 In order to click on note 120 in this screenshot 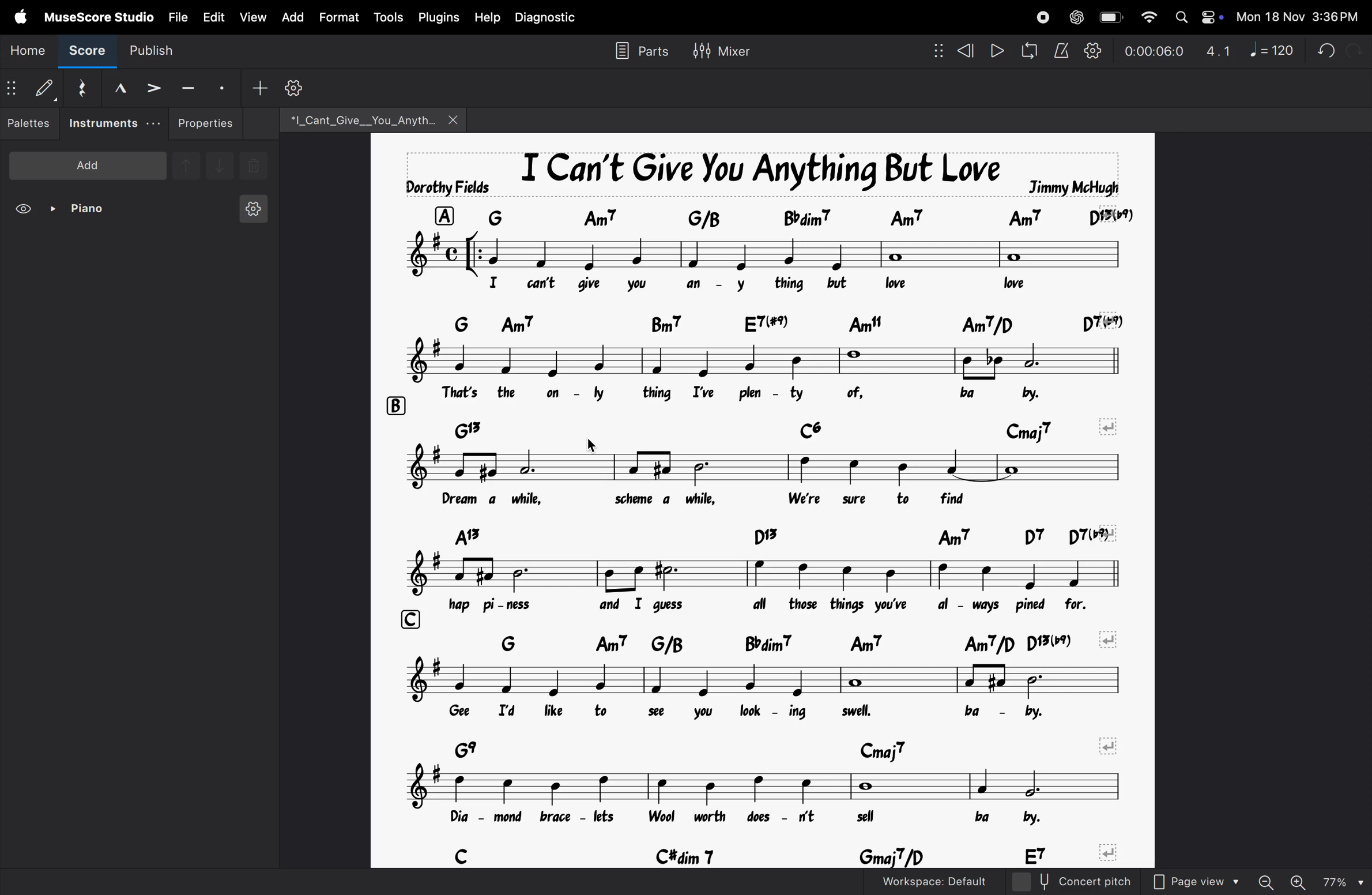, I will do `click(1269, 48)`.